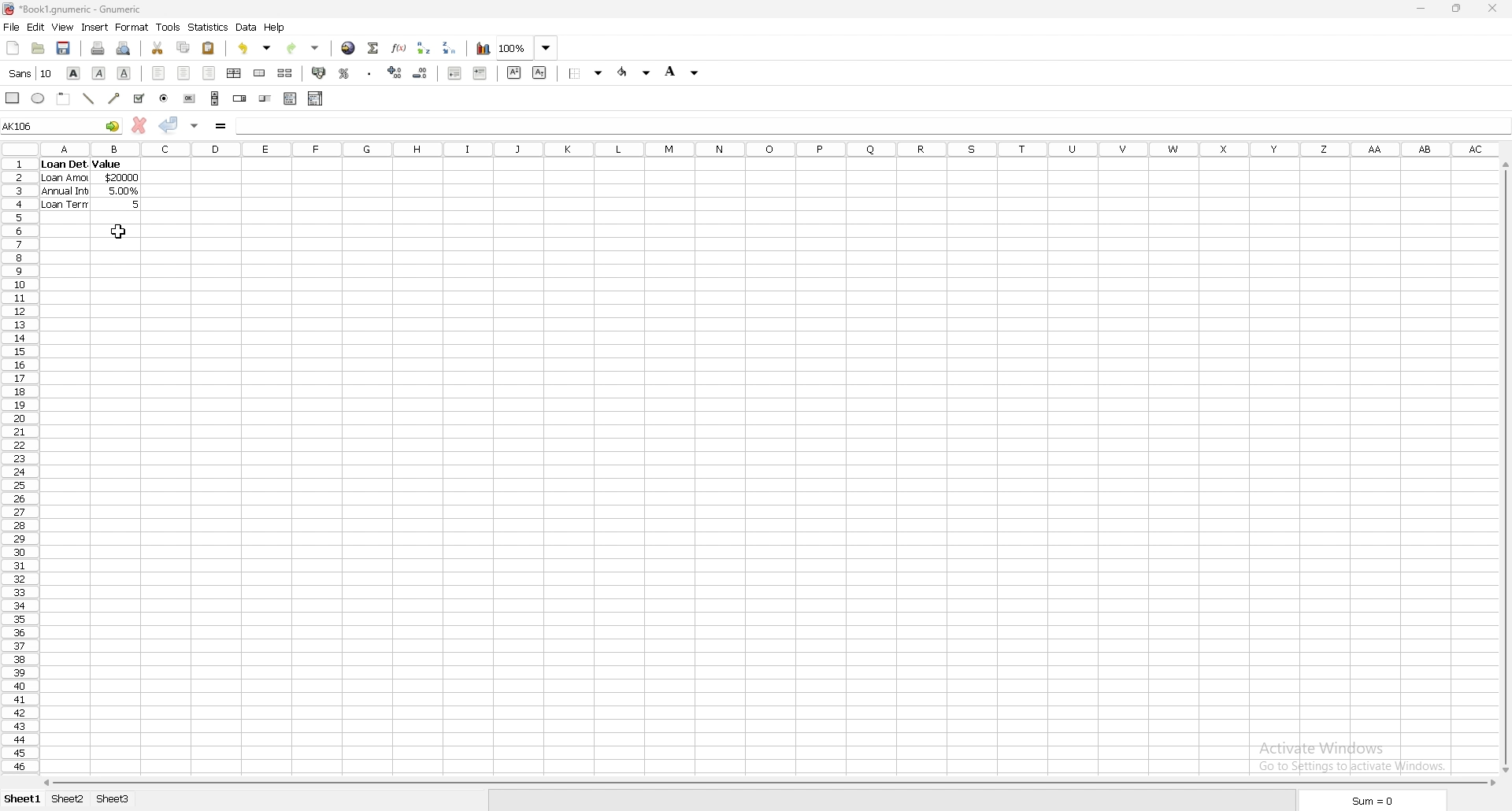 This screenshot has width=1512, height=811. What do you see at coordinates (31, 72) in the screenshot?
I see `font` at bounding box center [31, 72].